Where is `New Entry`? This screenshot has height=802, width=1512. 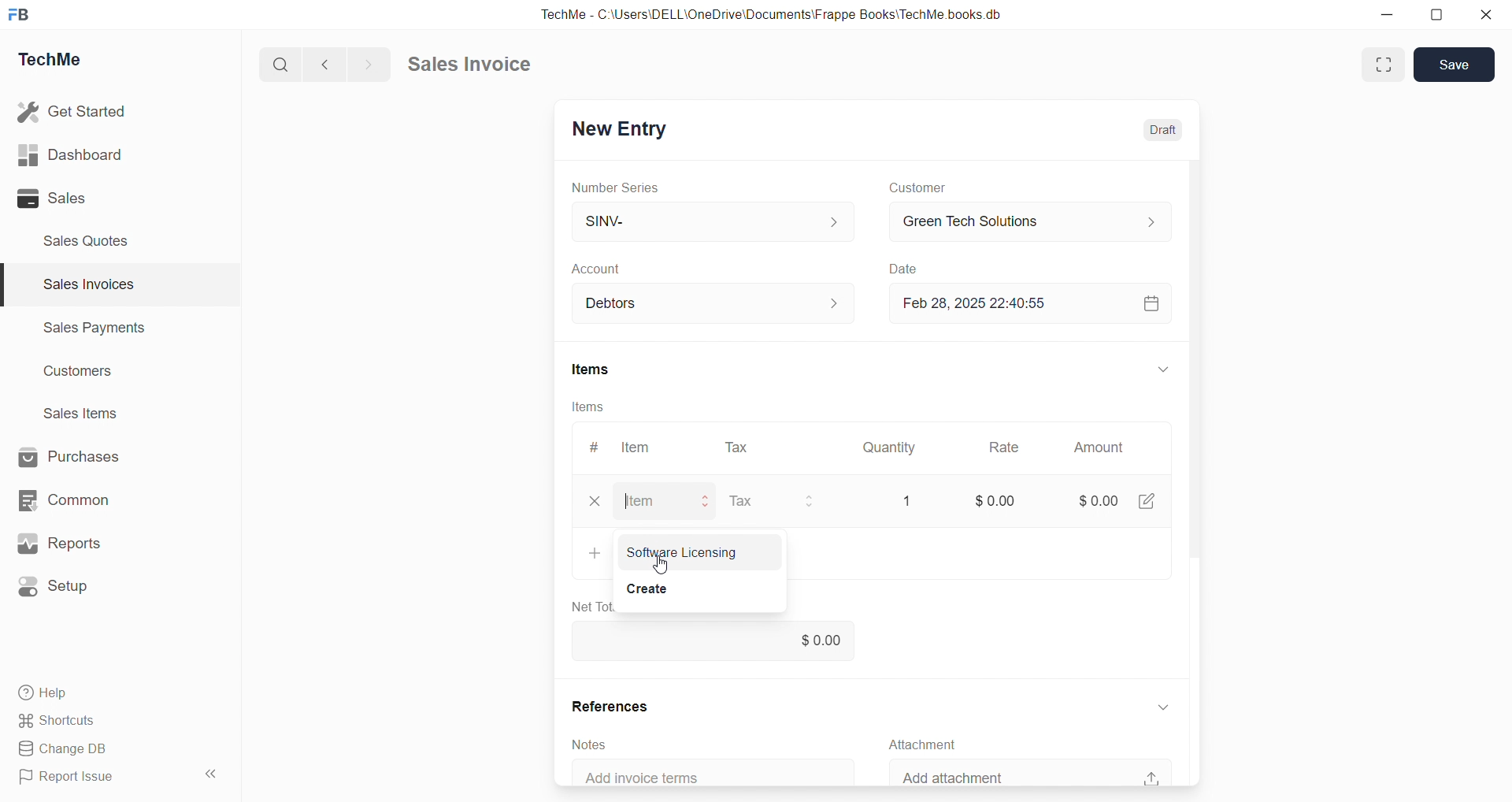
New Entry is located at coordinates (622, 130).